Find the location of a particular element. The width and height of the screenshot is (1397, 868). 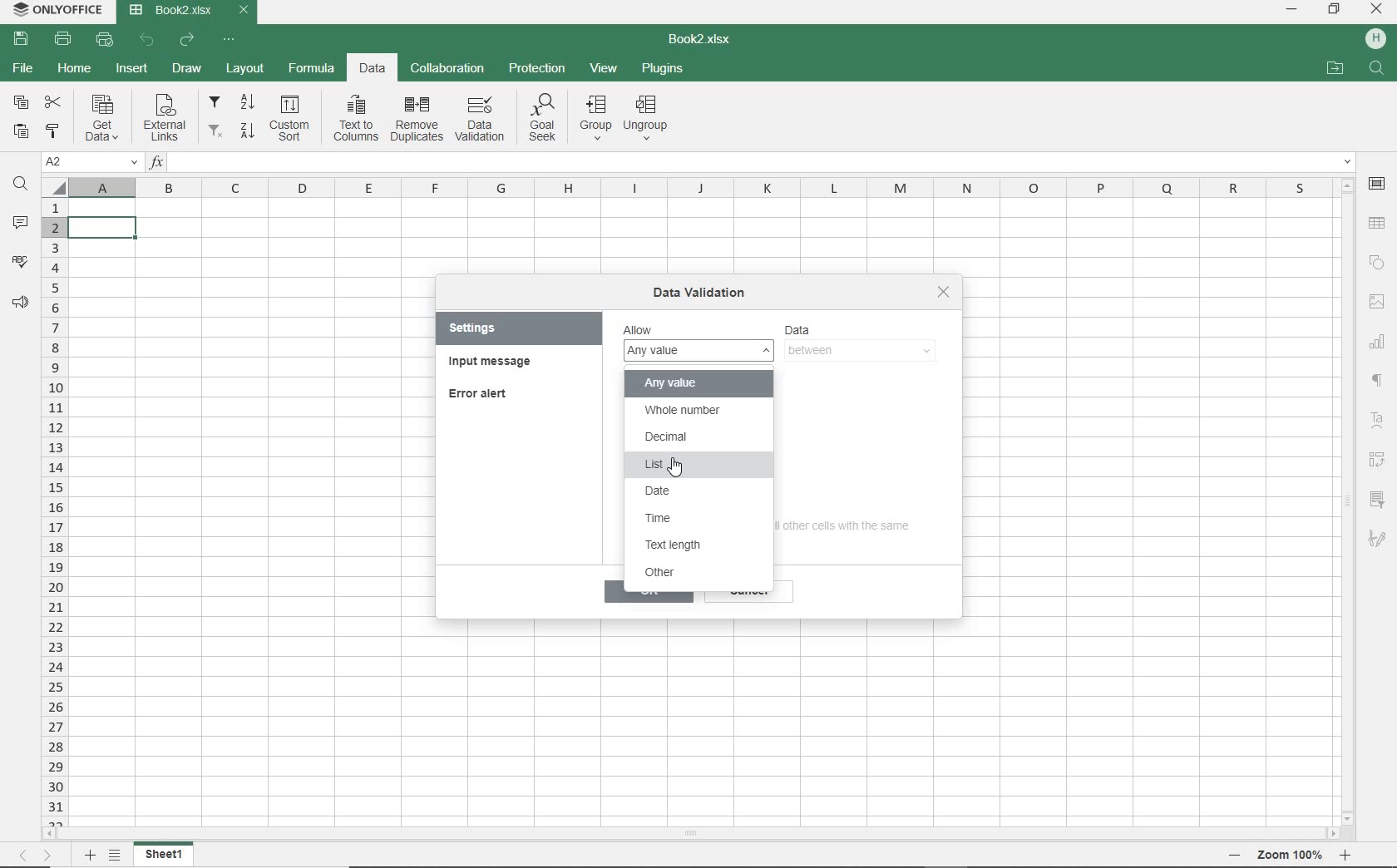

COPY is located at coordinates (20, 104).